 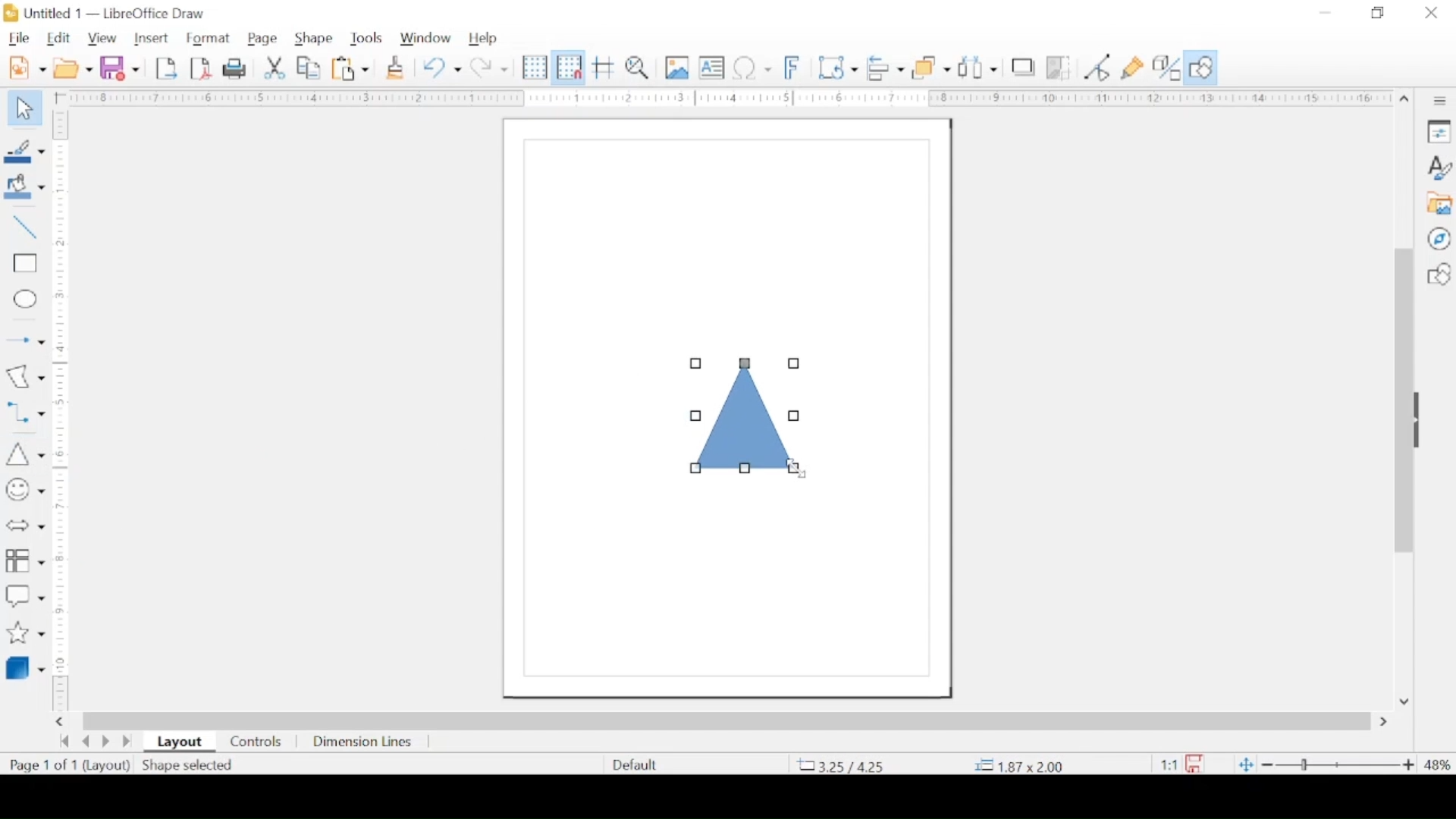 I want to click on scroll down arrow, so click(x=1406, y=701).